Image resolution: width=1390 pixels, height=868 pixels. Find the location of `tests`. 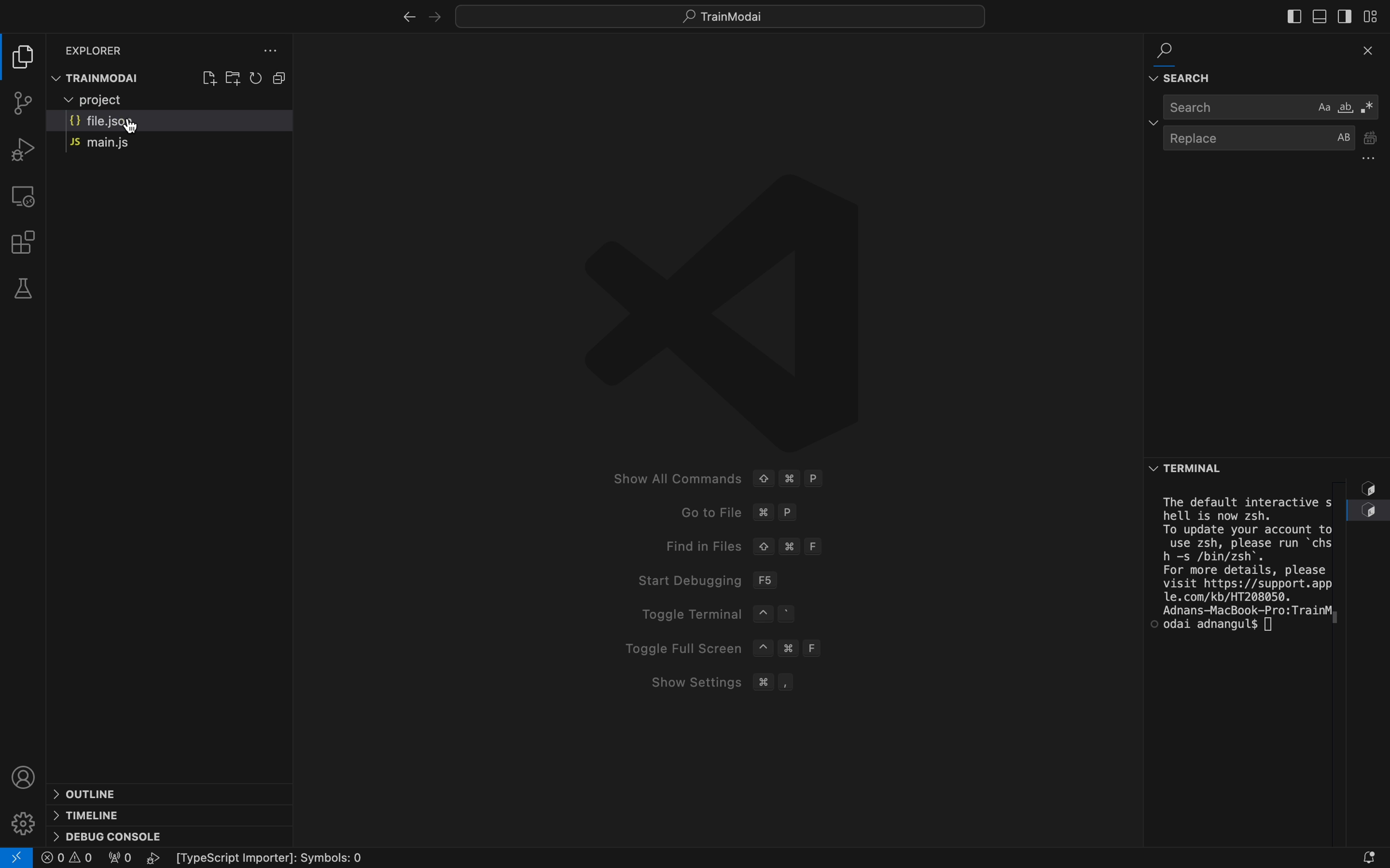

tests is located at coordinates (22, 288).